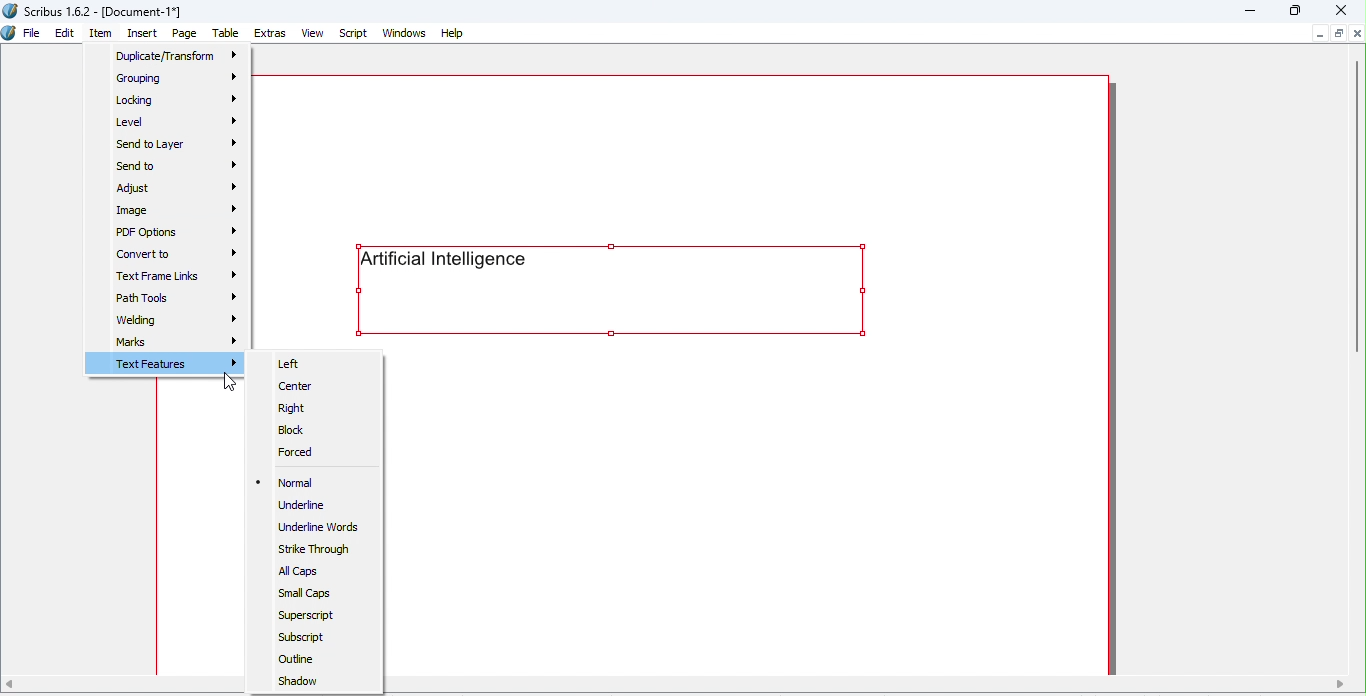  I want to click on Underline, so click(303, 507).